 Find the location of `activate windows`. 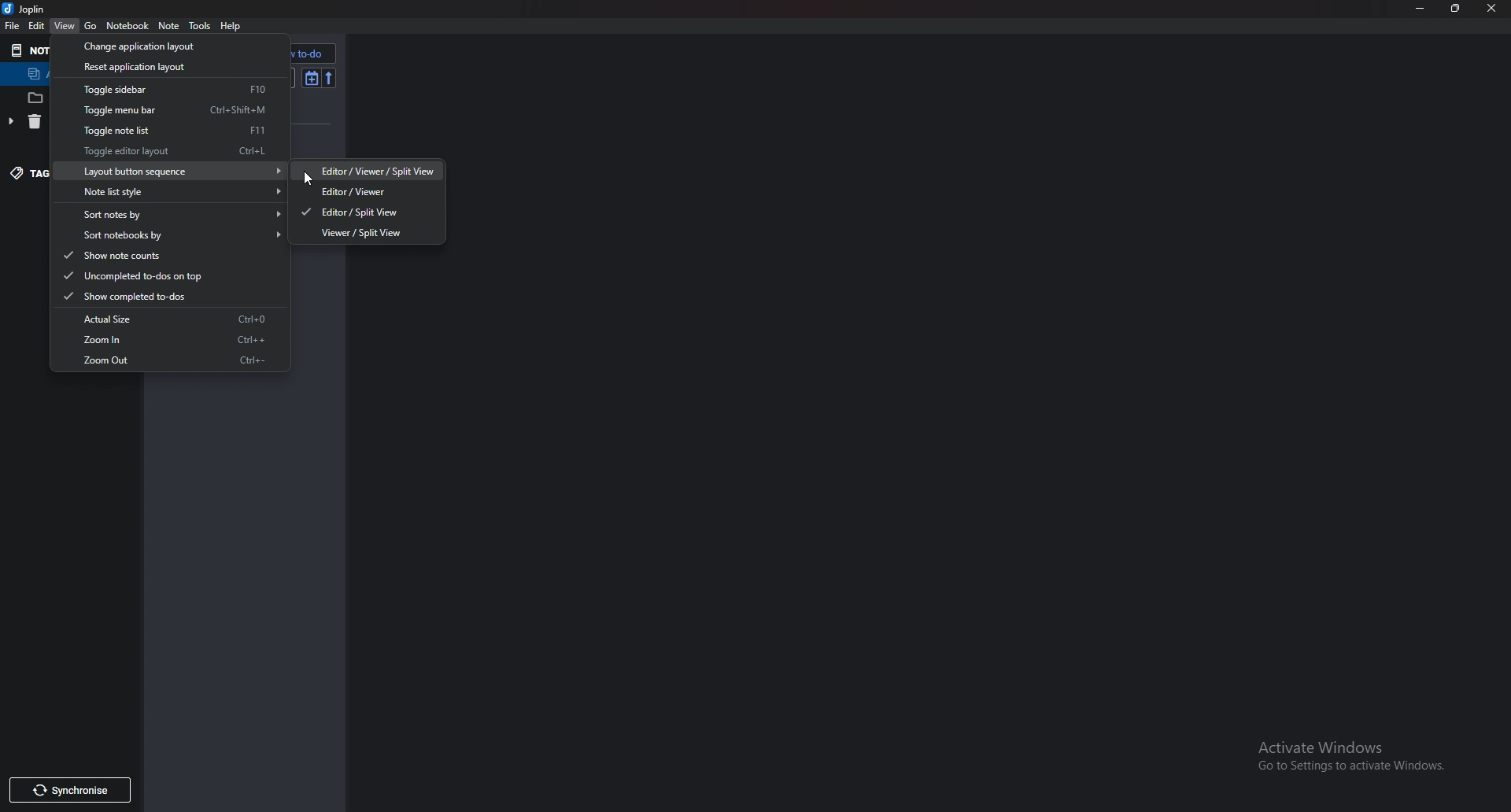

activate windows is located at coordinates (1360, 754).